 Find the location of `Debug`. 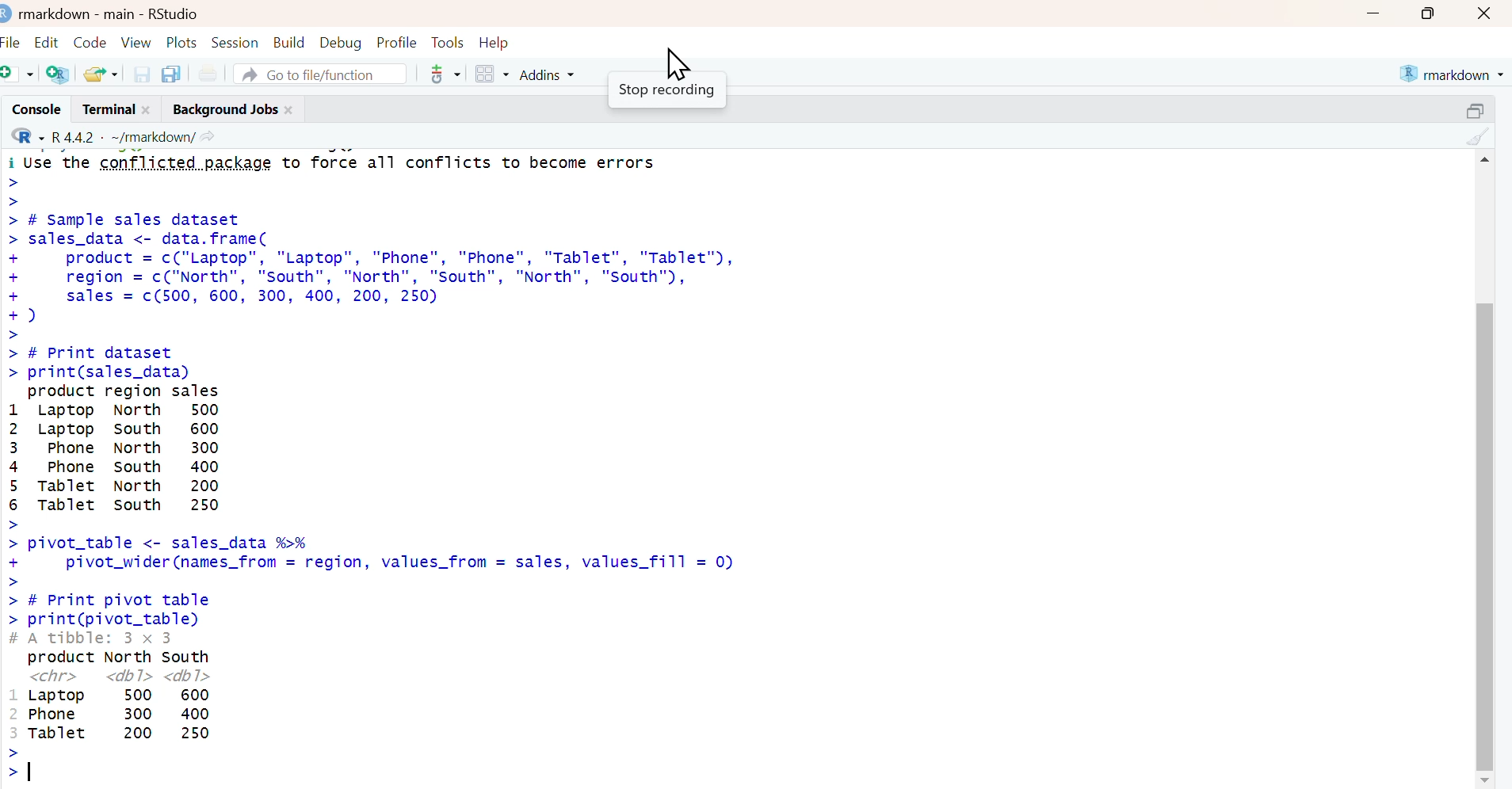

Debug is located at coordinates (341, 40).